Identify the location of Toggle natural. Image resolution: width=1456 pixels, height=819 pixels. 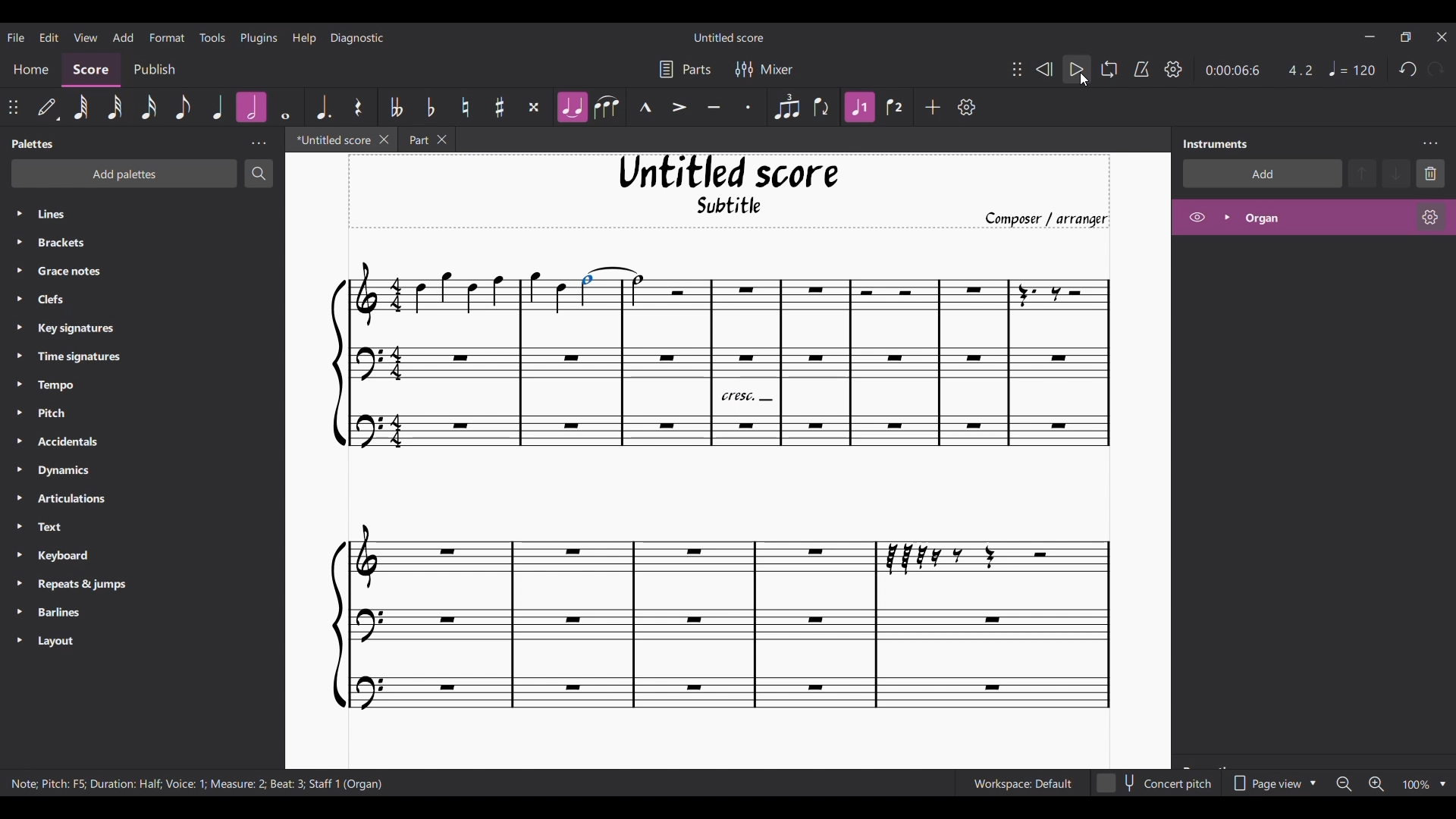
(466, 107).